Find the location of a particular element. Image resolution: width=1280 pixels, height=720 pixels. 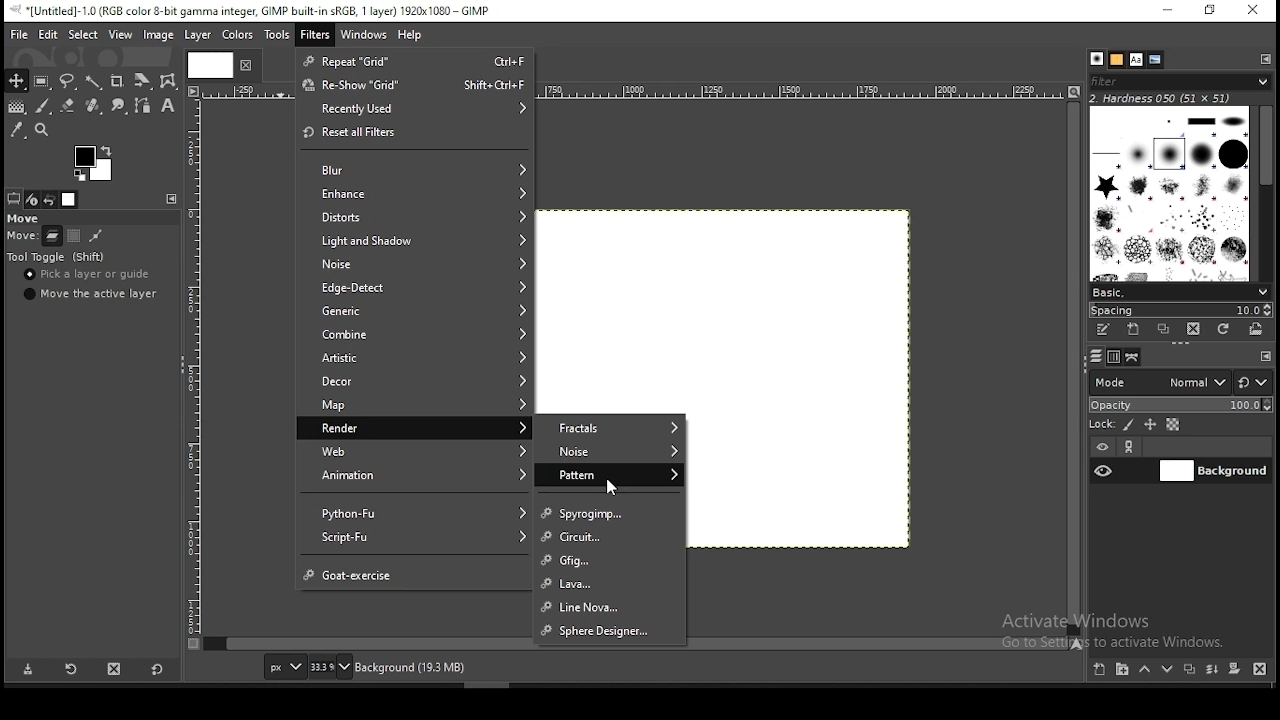

restore to defaults is located at coordinates (160, 669).